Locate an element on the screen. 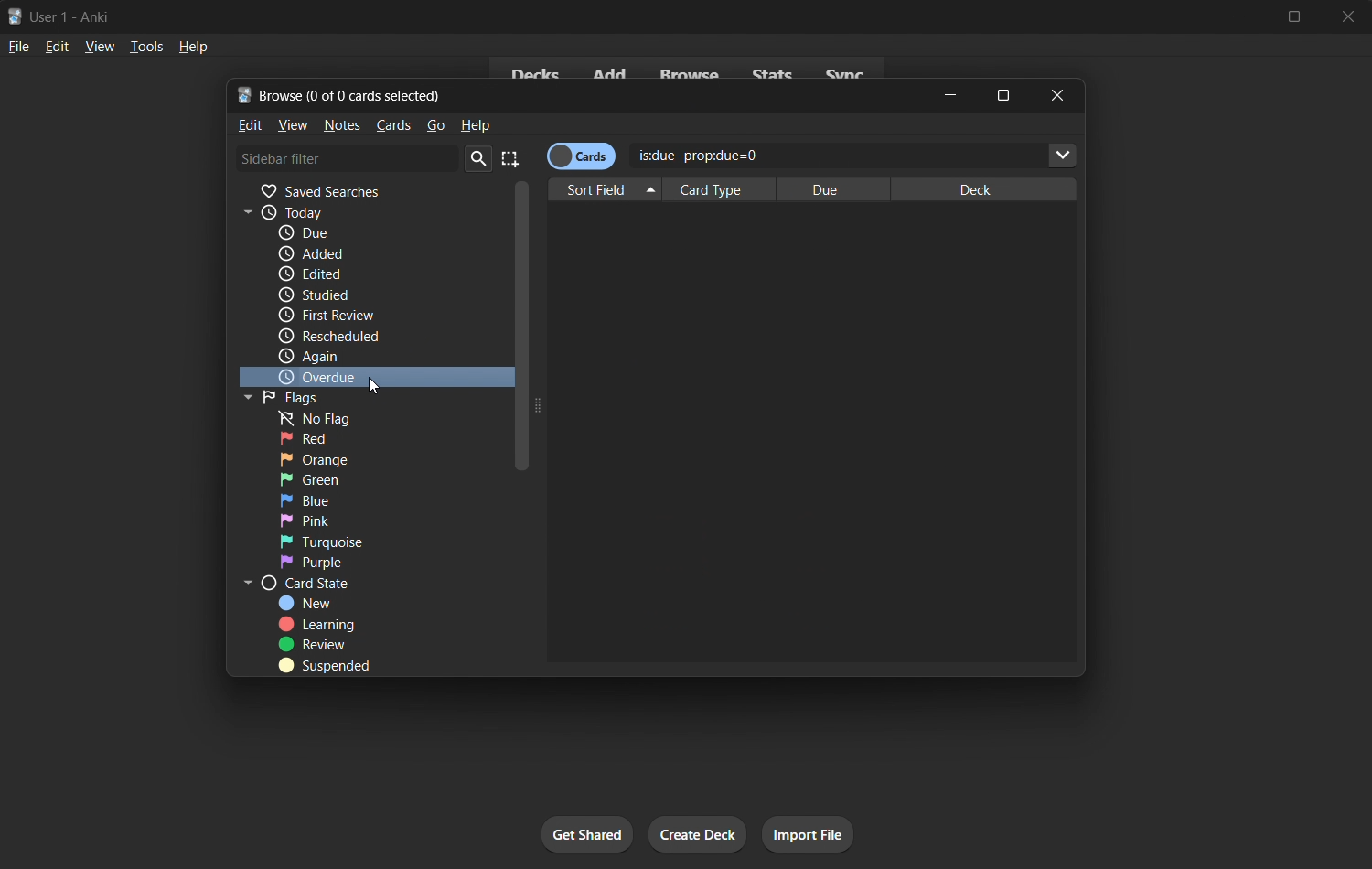 This screenshot has height=869, width=1372. close  is located at coordinates (1345, 16).